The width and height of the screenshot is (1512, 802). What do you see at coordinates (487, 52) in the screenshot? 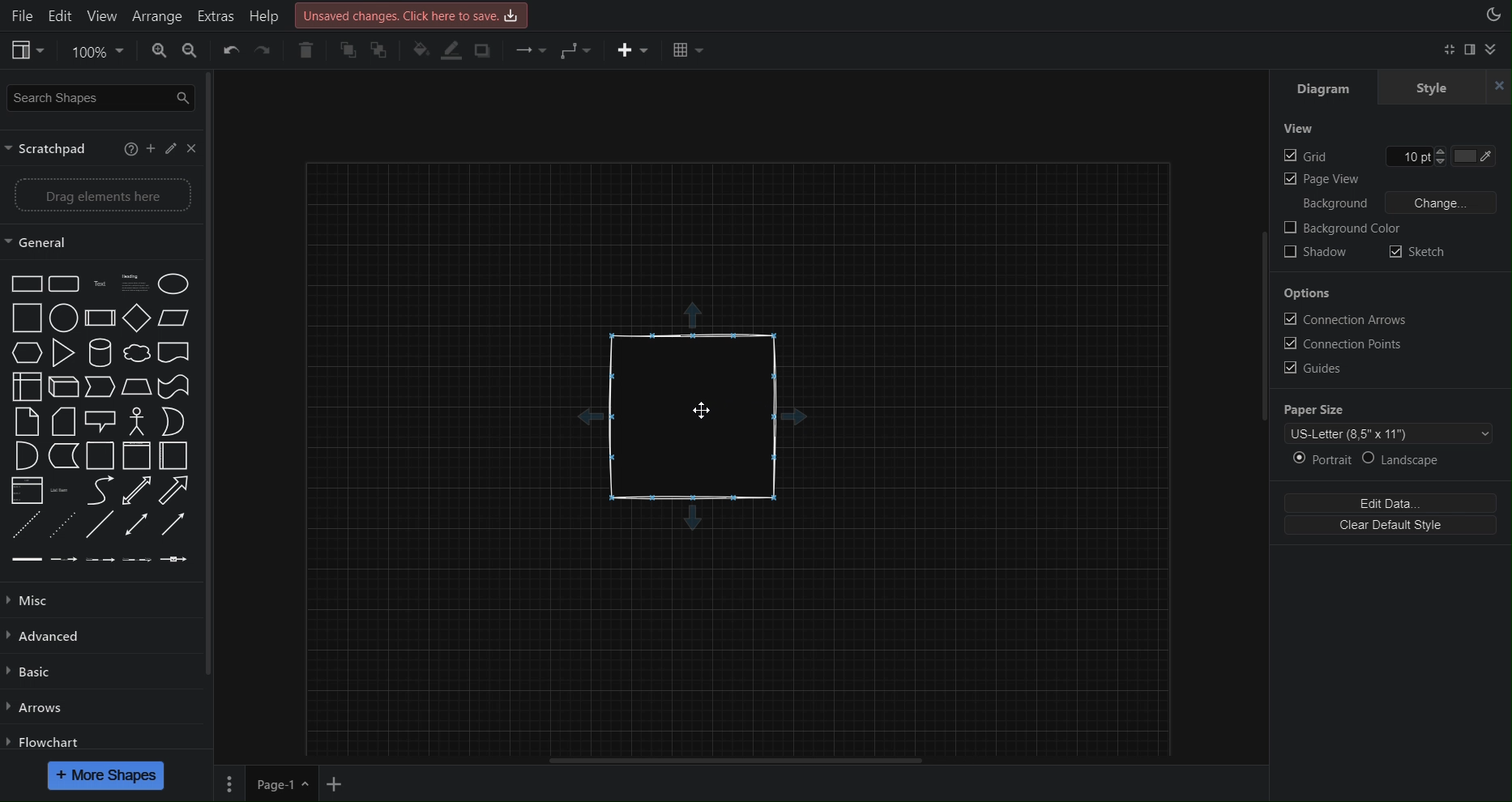
I see `Shadow` at bounding box center [487, 52].